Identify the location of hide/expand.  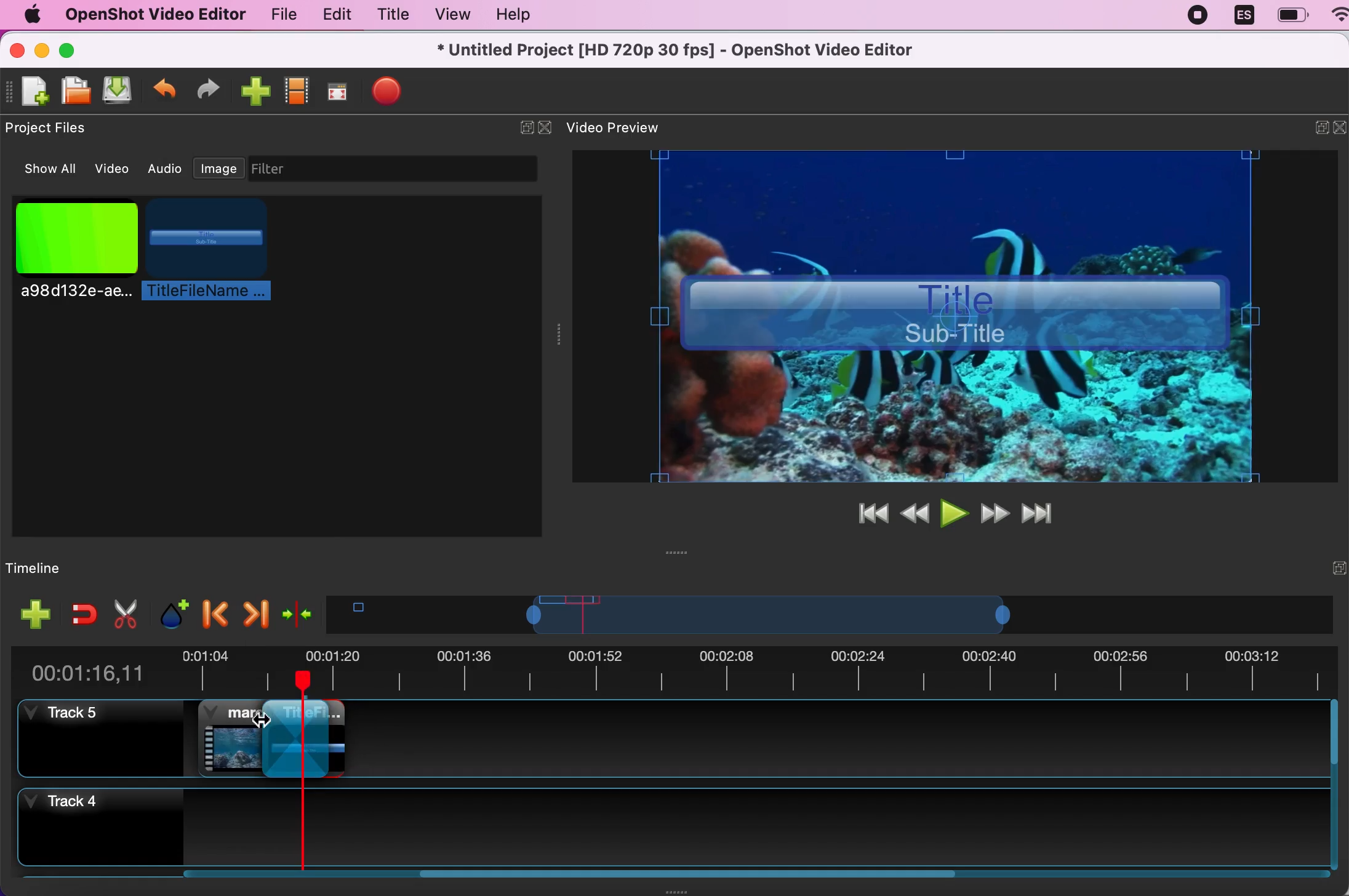
(1315, 567).